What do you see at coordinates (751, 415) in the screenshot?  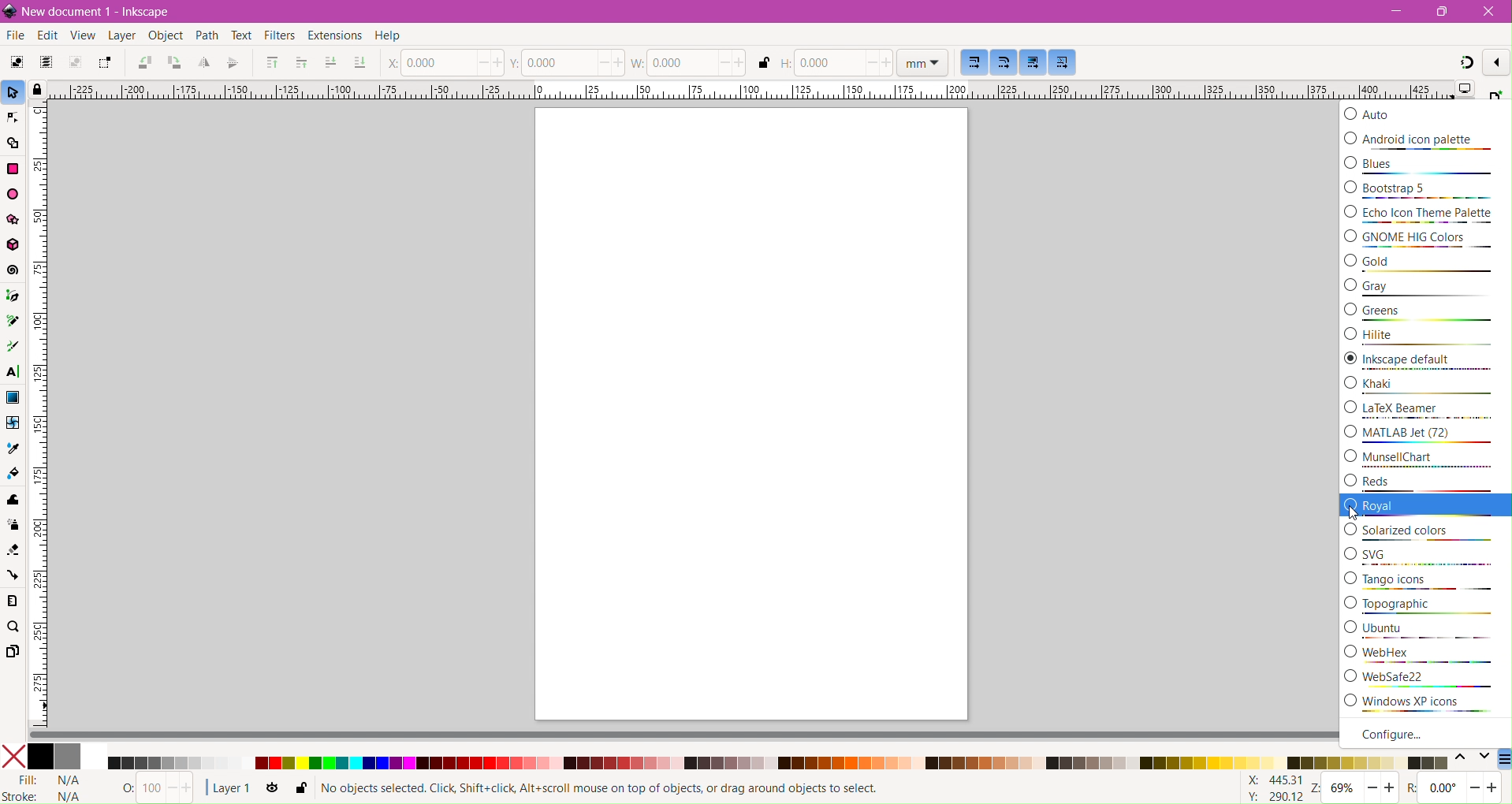 I see `current page` at bounding box center [751, 415].